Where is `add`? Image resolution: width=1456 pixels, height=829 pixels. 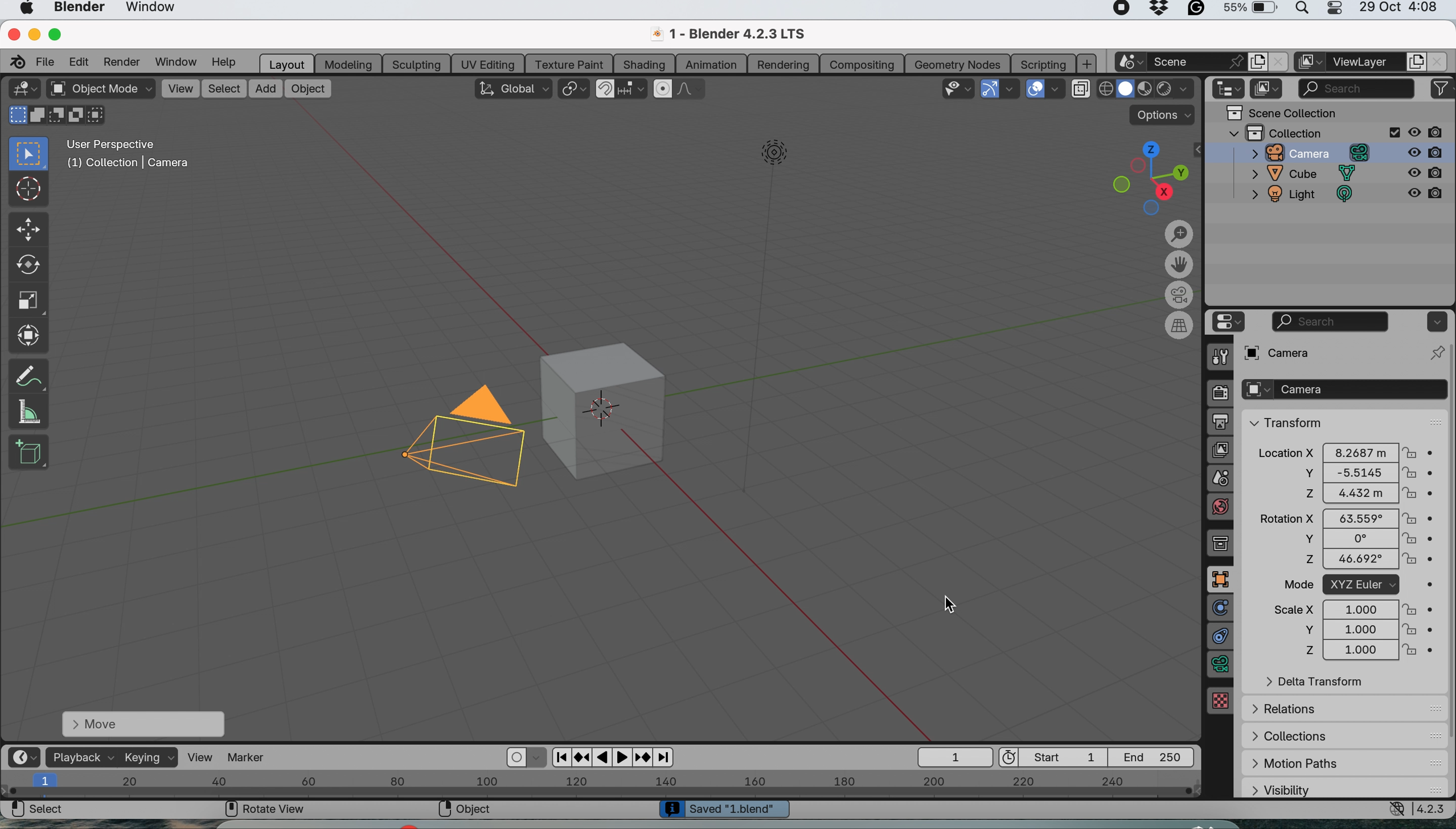 add is located at coordinates (266, 89).